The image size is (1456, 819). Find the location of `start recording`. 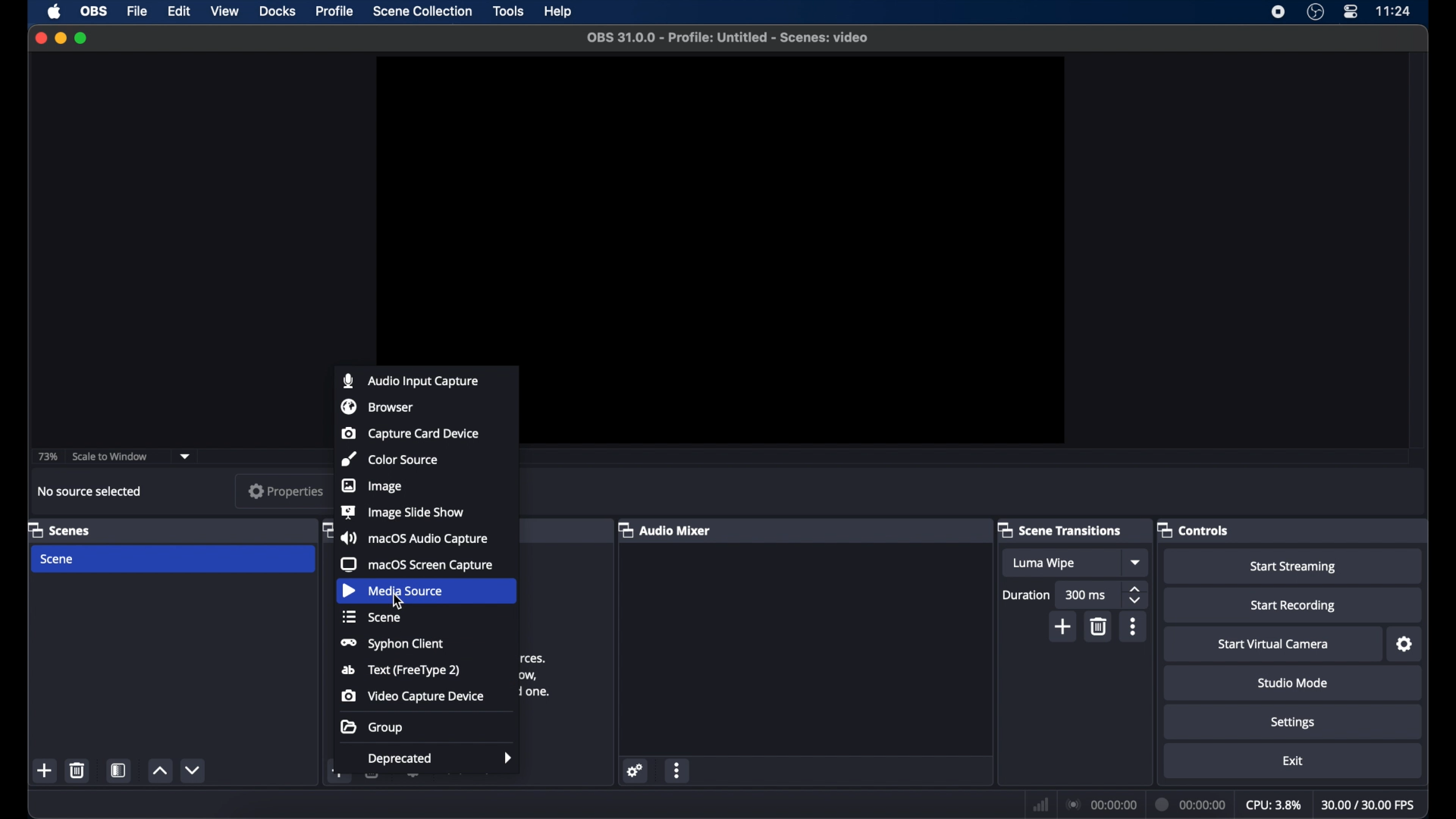

start recording is located at coordinates (1293, 606).